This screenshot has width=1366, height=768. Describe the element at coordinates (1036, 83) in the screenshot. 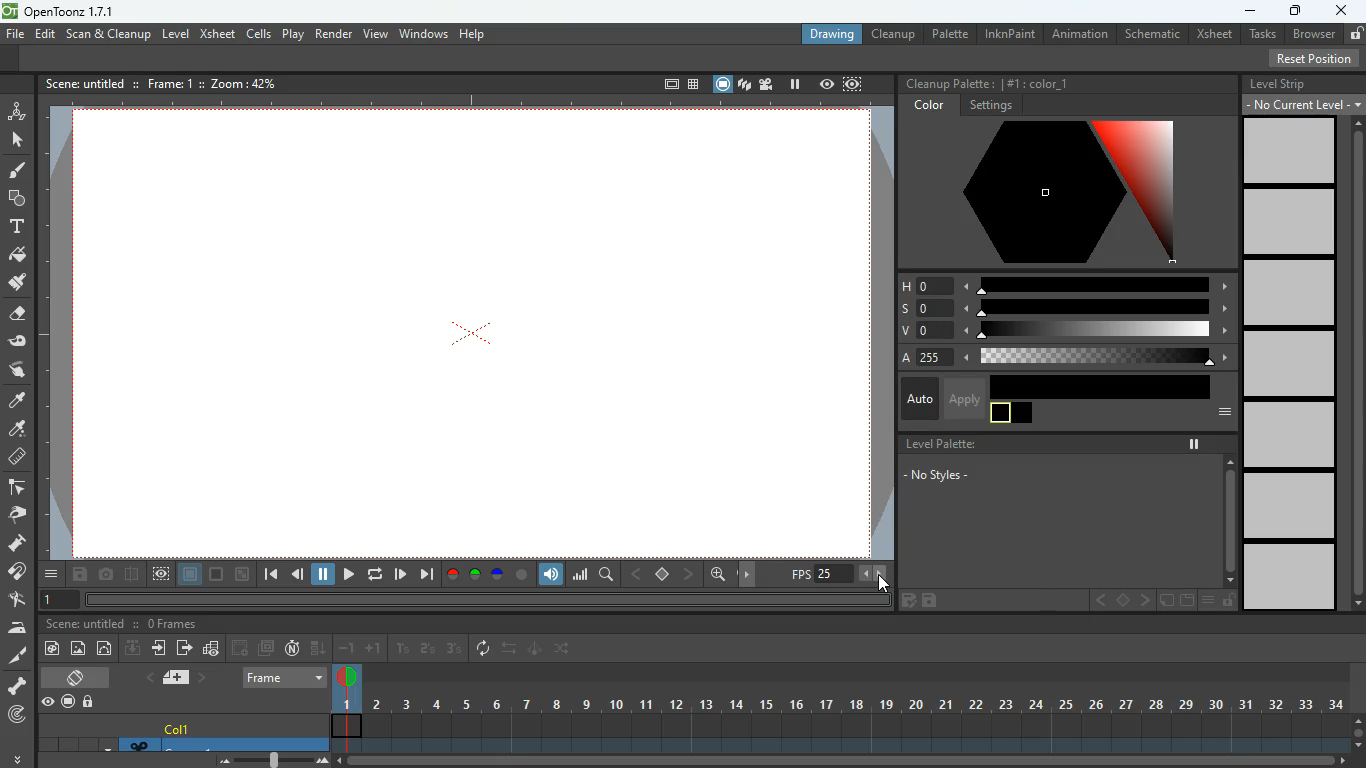

I see `color` at that location.